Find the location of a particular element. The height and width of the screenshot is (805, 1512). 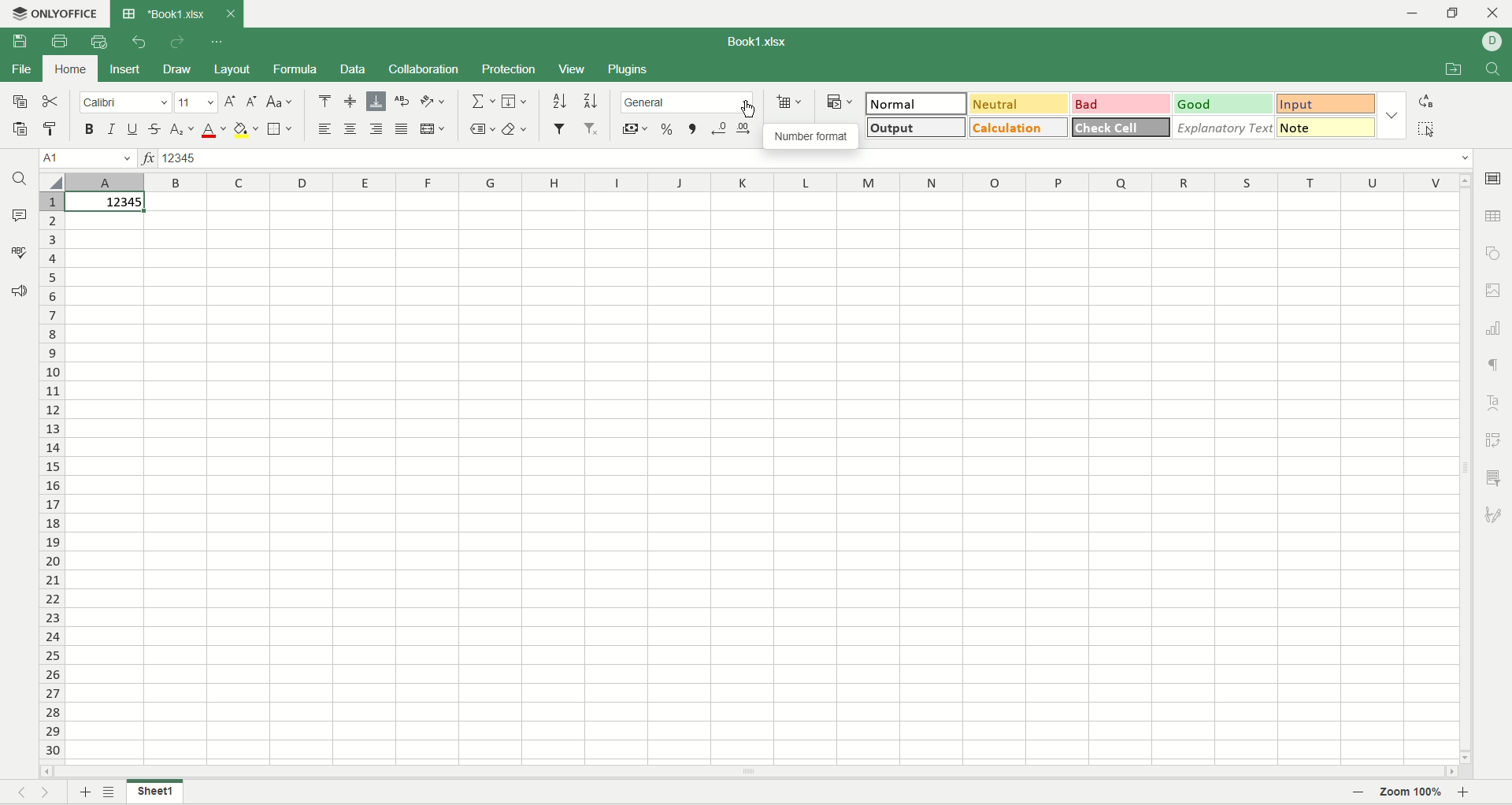

view is located at coordinates (576, 69).